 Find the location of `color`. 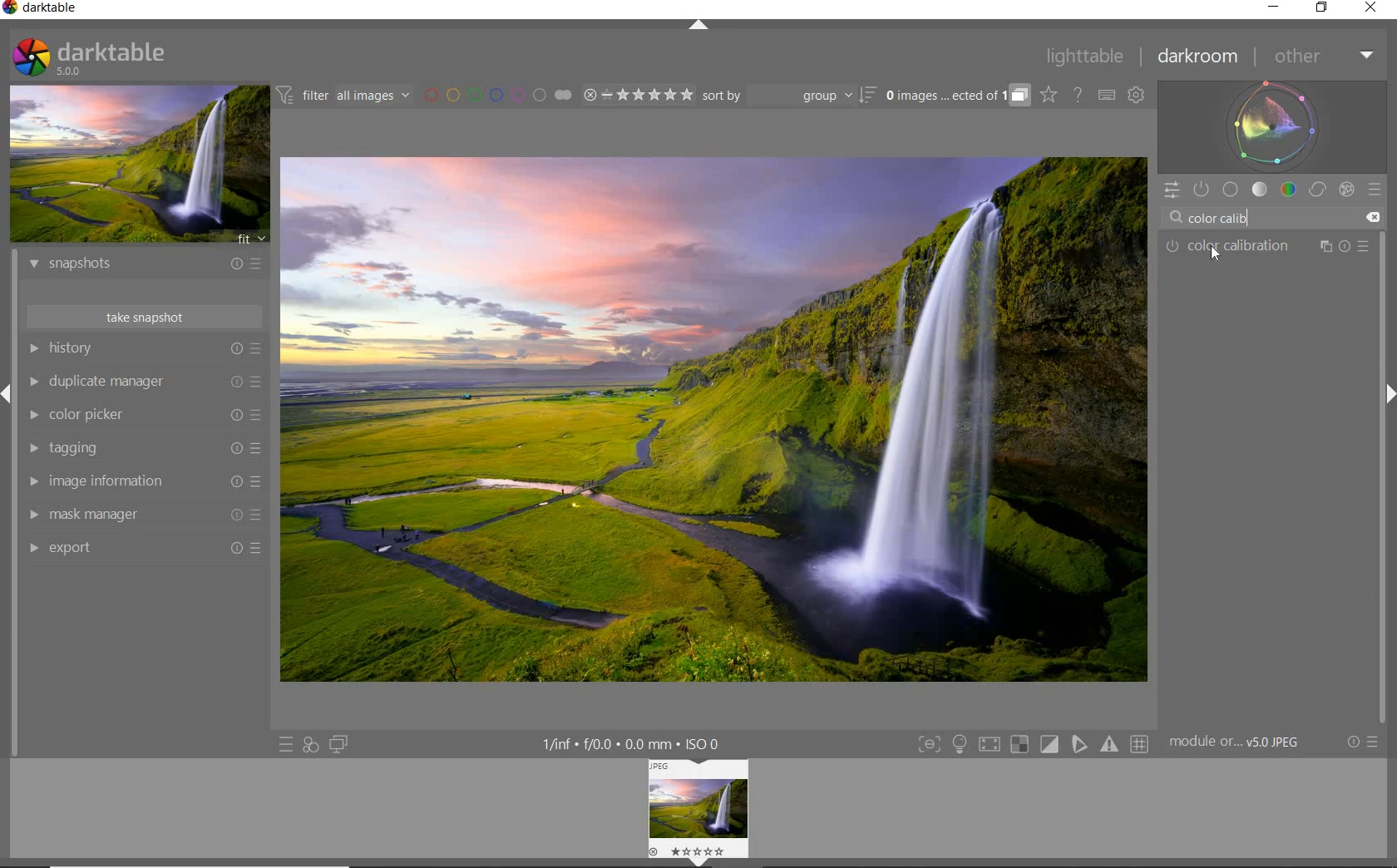

color is located at coordinates (1287, 190).